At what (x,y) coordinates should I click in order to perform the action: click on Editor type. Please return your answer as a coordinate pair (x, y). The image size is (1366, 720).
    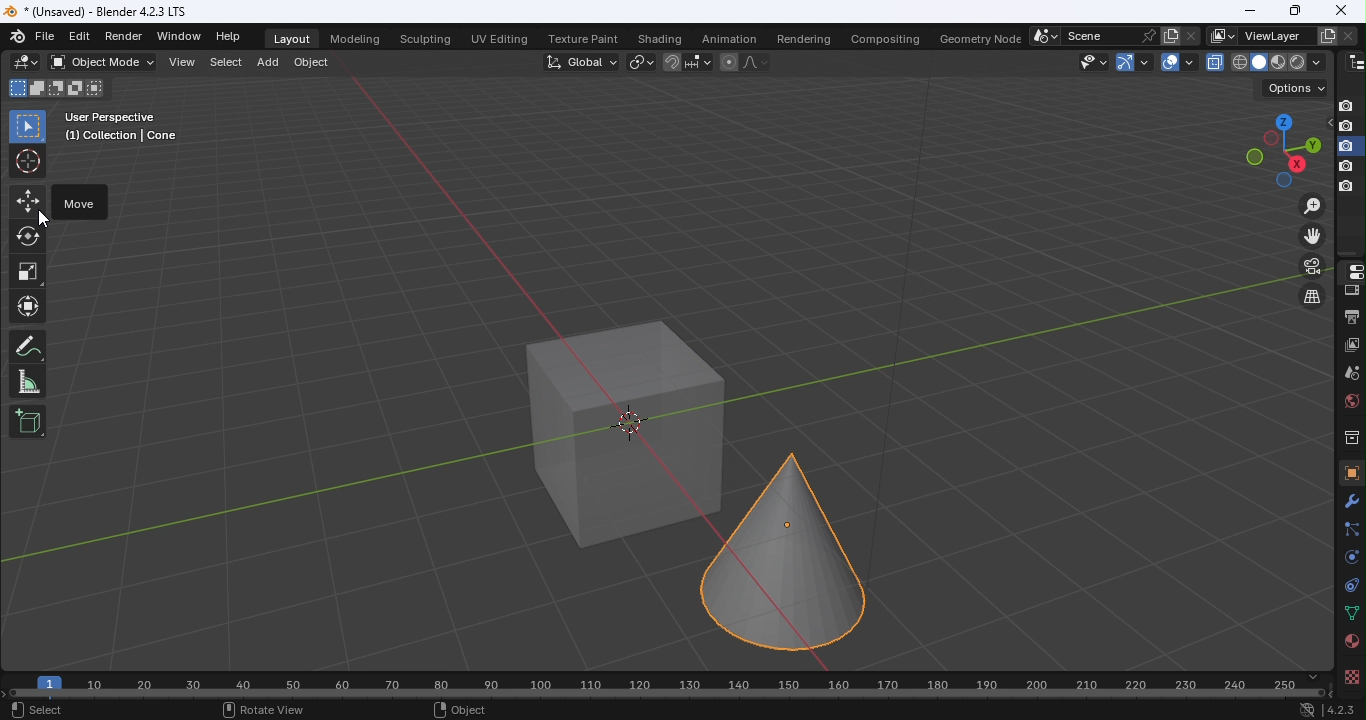
    Looking at the image, I should click on (1349, 270).